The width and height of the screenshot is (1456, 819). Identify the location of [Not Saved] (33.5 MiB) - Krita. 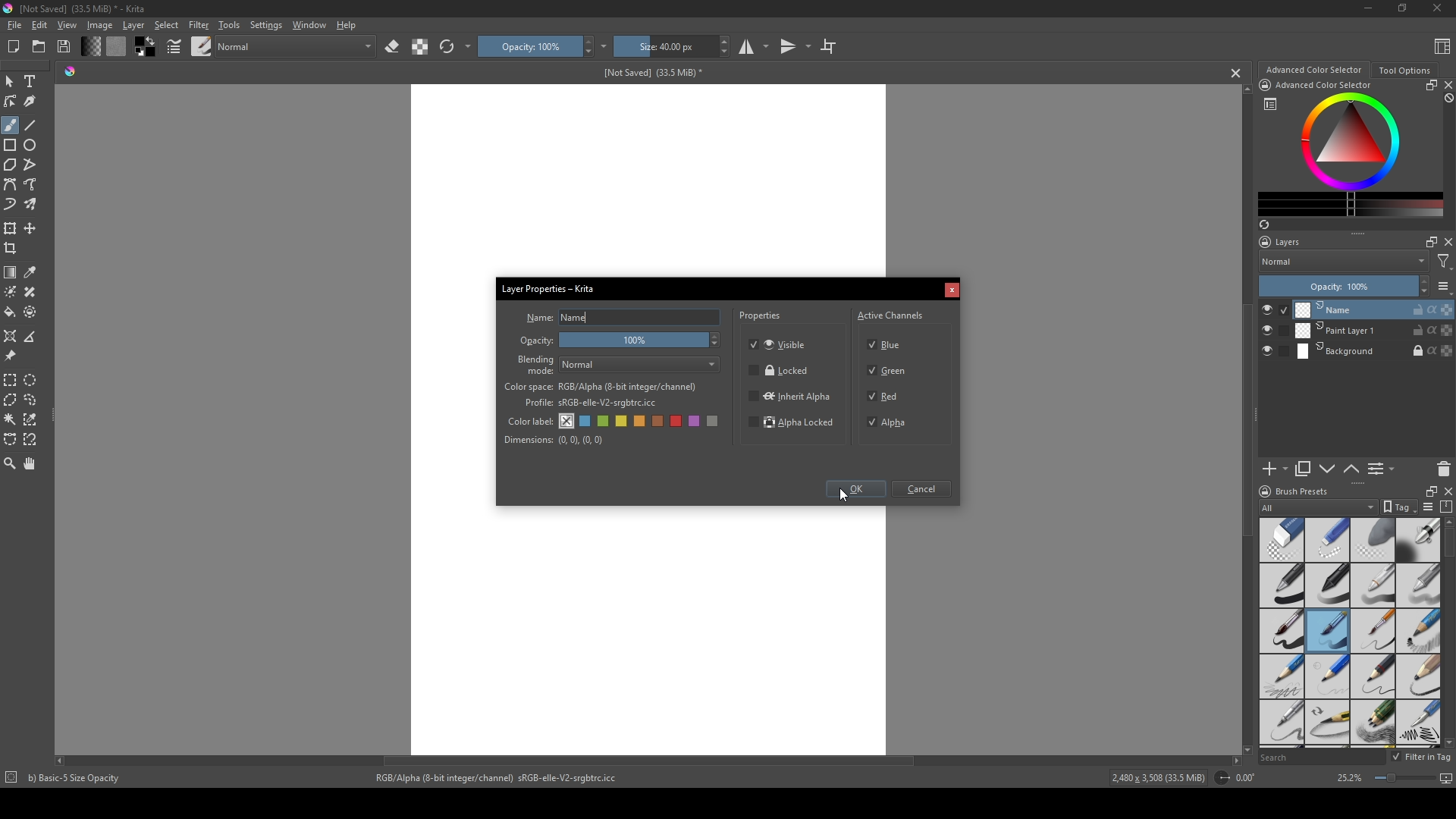
(83, 9).